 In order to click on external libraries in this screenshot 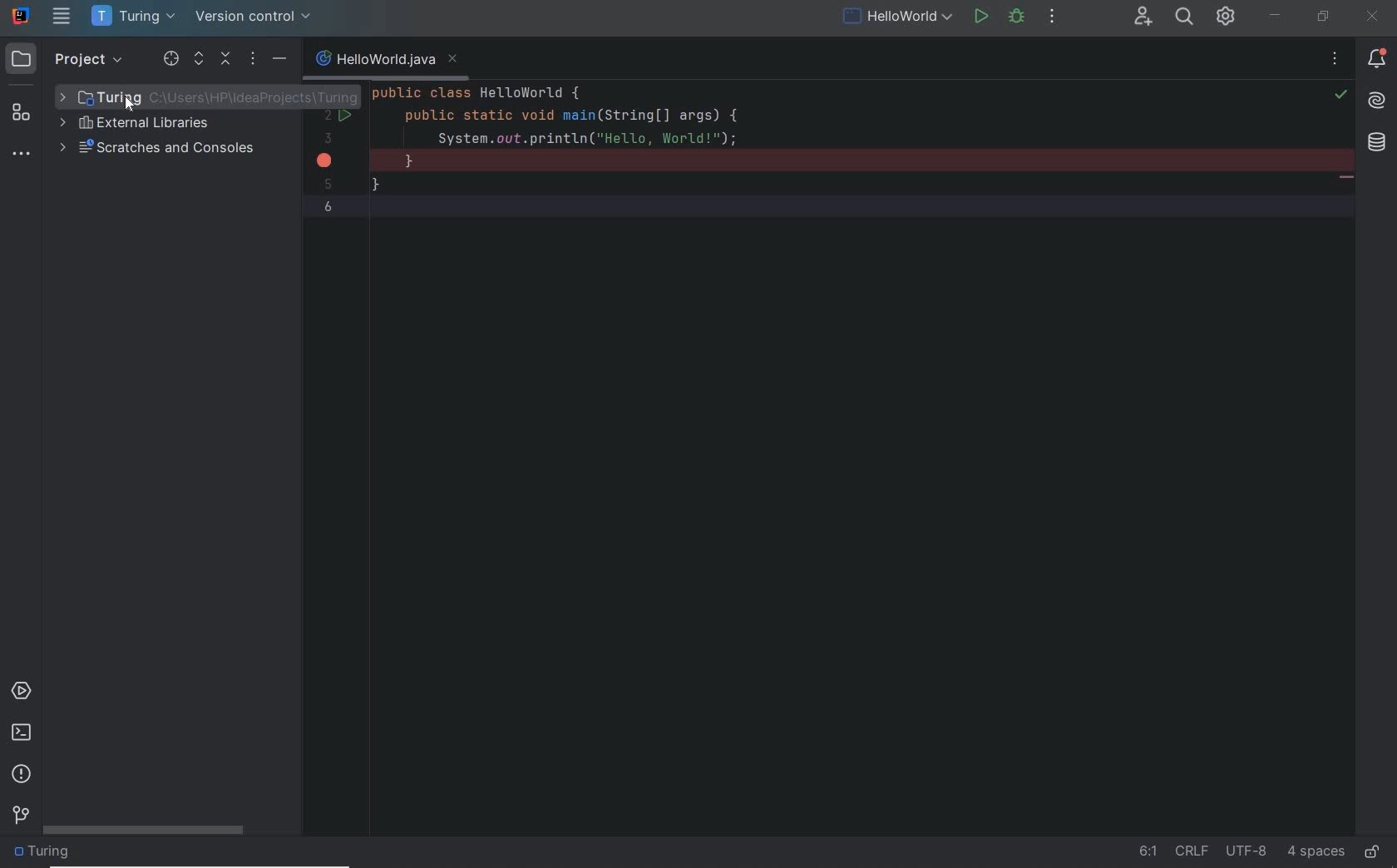, I will do `click(140, 123)`.